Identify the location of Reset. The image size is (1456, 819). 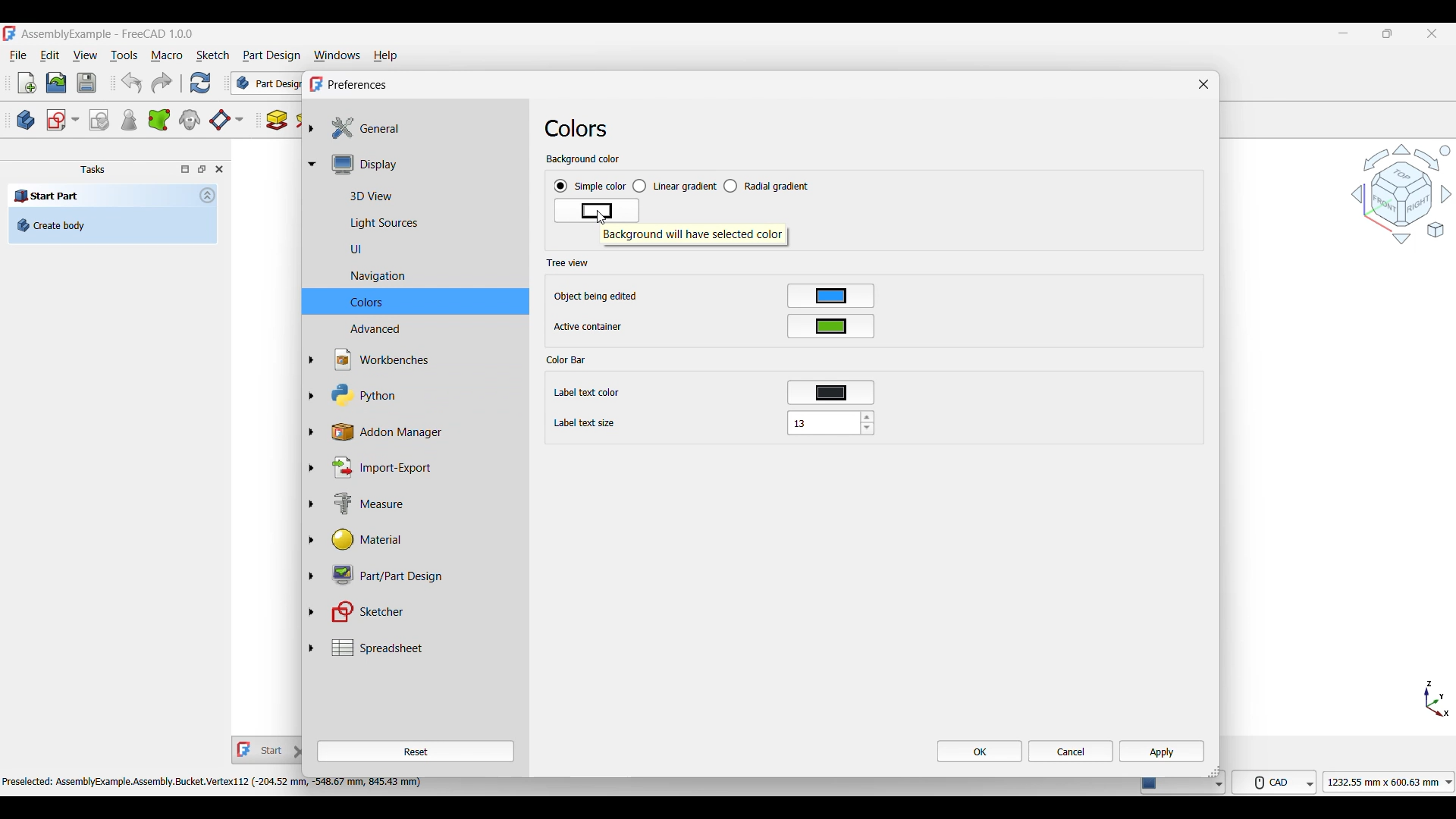
(416, 752).